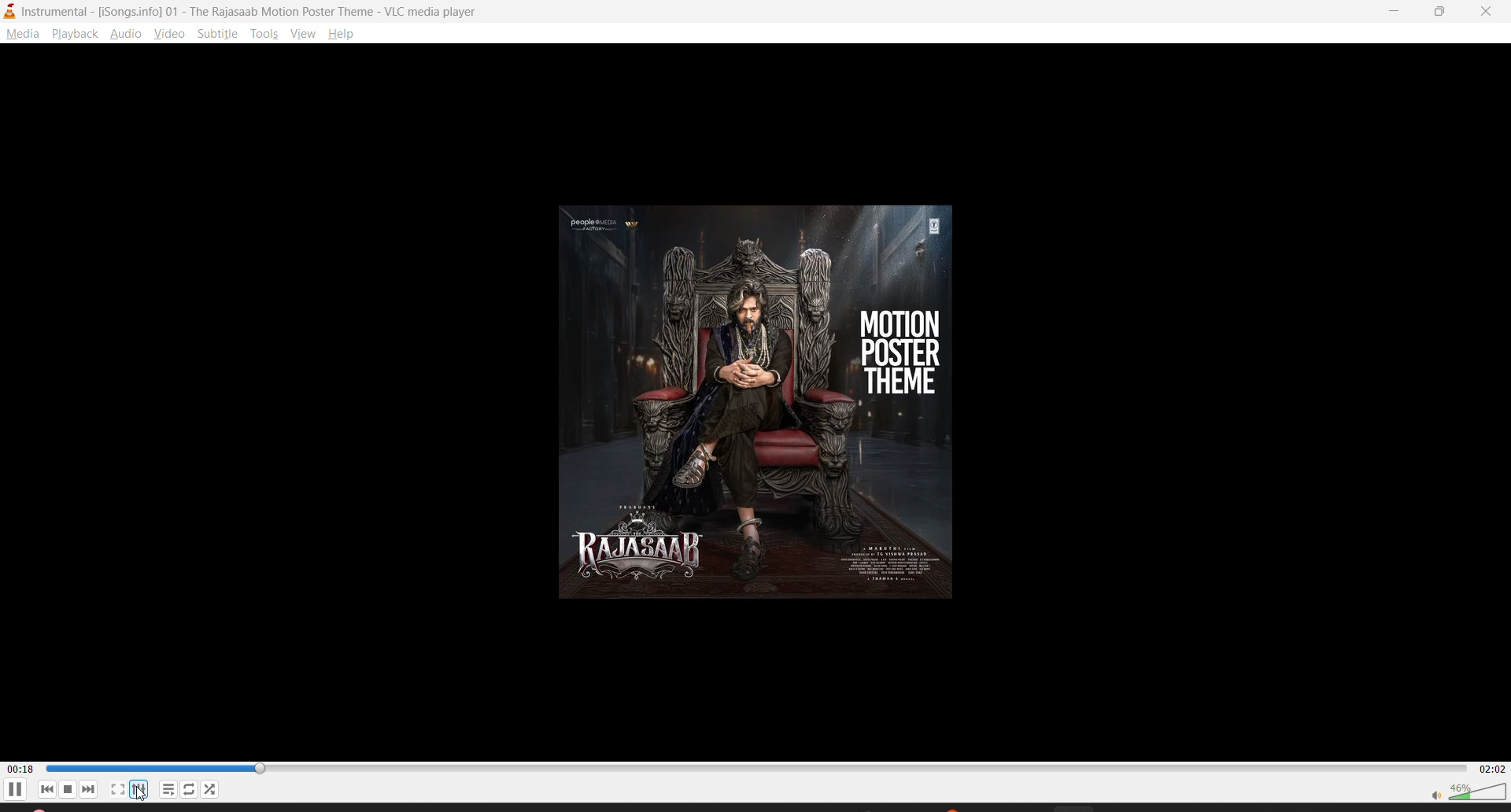 The image size is (1511, 812). What do you see at coordinates (210, 788) in the screenshot?
I see `random` at bounding box center [210, 788].